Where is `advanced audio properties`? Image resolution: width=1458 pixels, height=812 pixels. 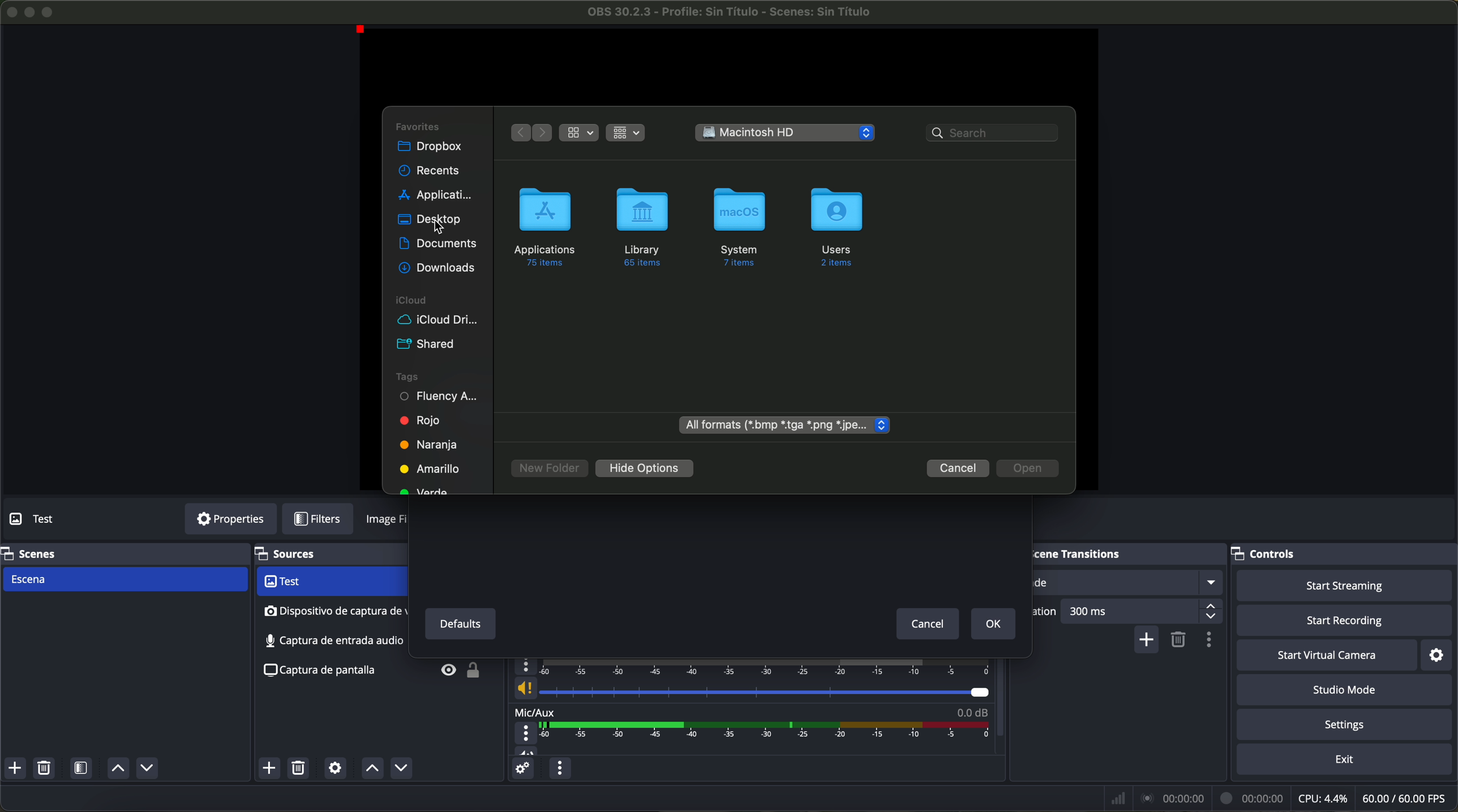
advanced audio properties is located at coordinates (522, 768).